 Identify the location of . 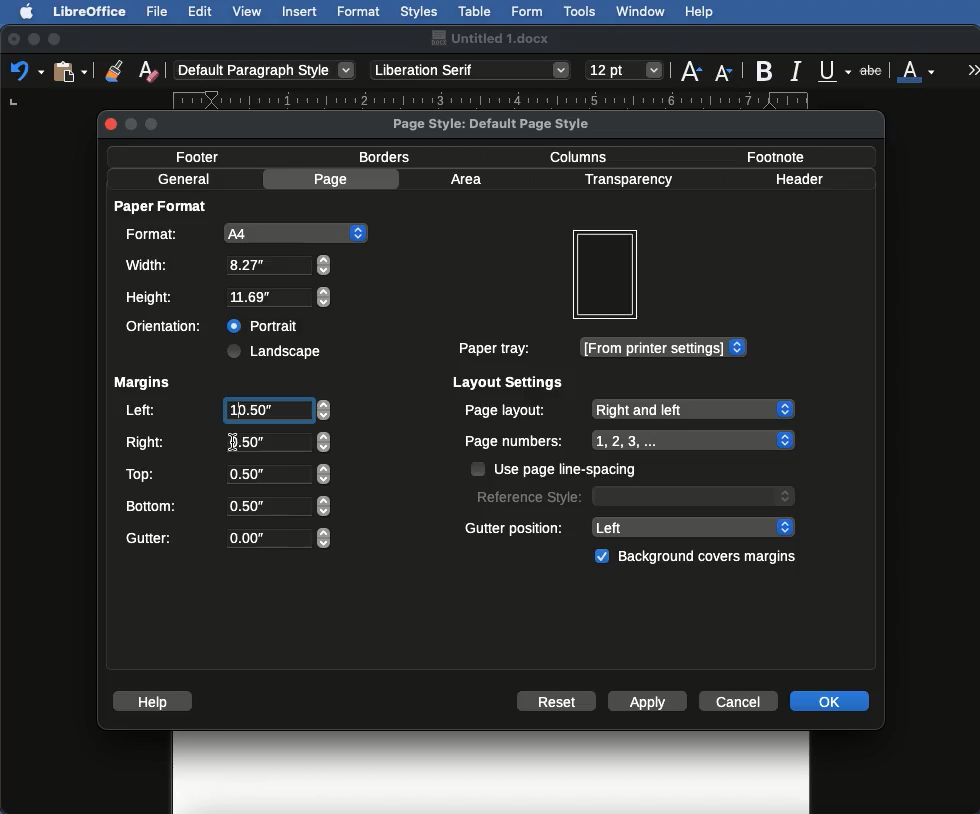
(235, 440).